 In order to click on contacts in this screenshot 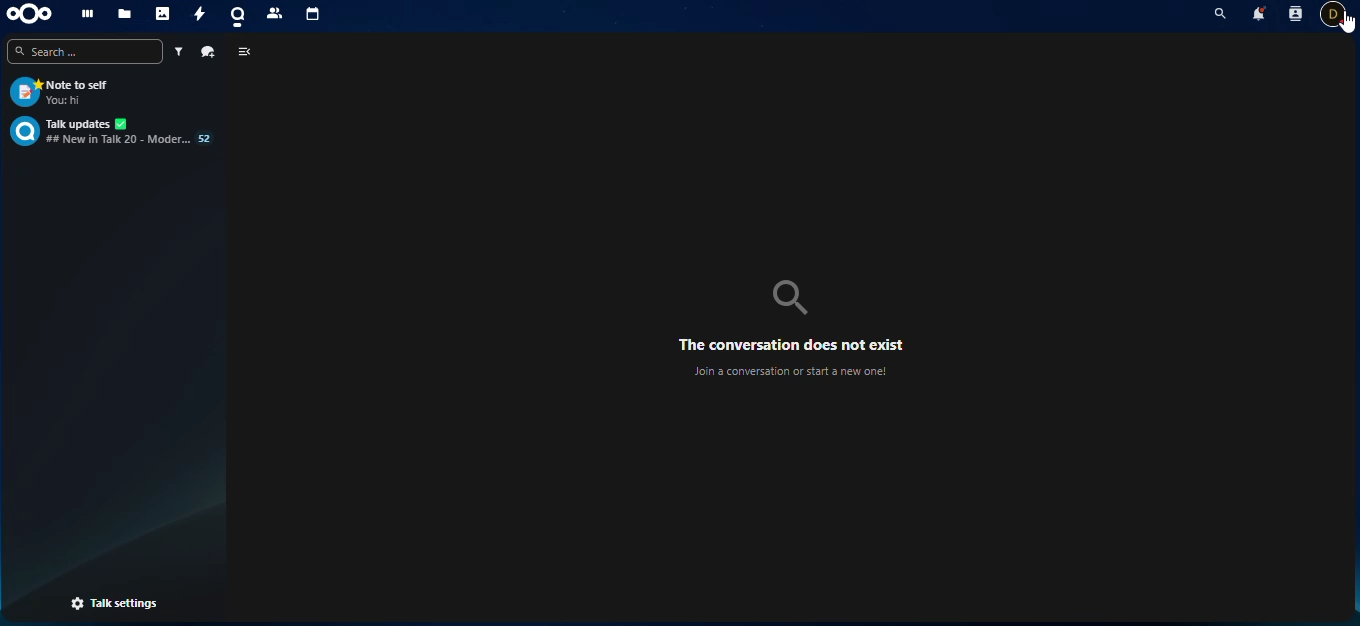, I will do `click(274, 15)`.